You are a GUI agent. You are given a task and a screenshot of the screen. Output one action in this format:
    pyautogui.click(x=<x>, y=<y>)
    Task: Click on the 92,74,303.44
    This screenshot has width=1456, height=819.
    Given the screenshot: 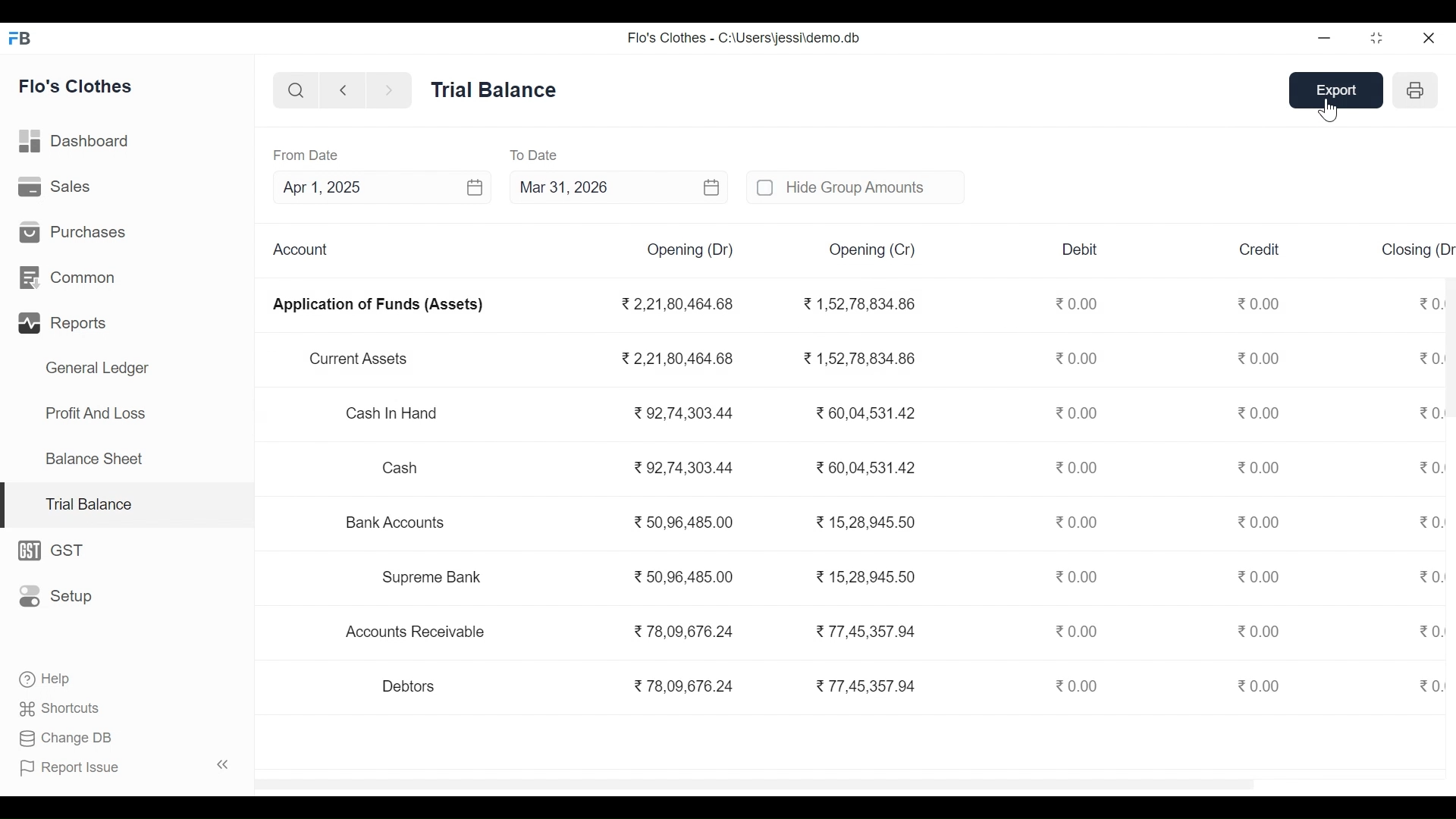 What is the action you would take?
    pyautogui.click(x=682, y=413)
    